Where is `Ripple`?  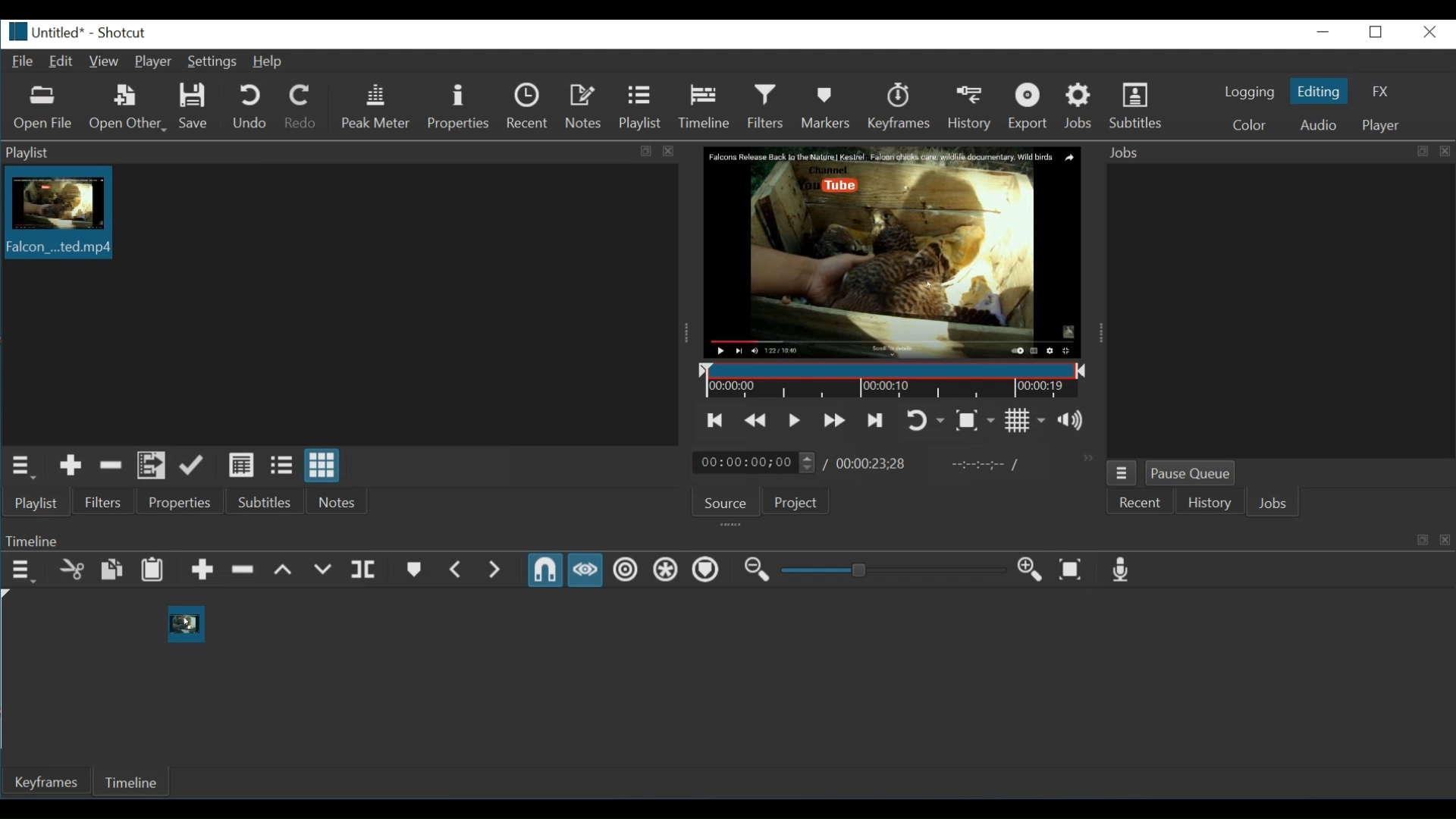 Ripple is located at coordinates (625, 570).